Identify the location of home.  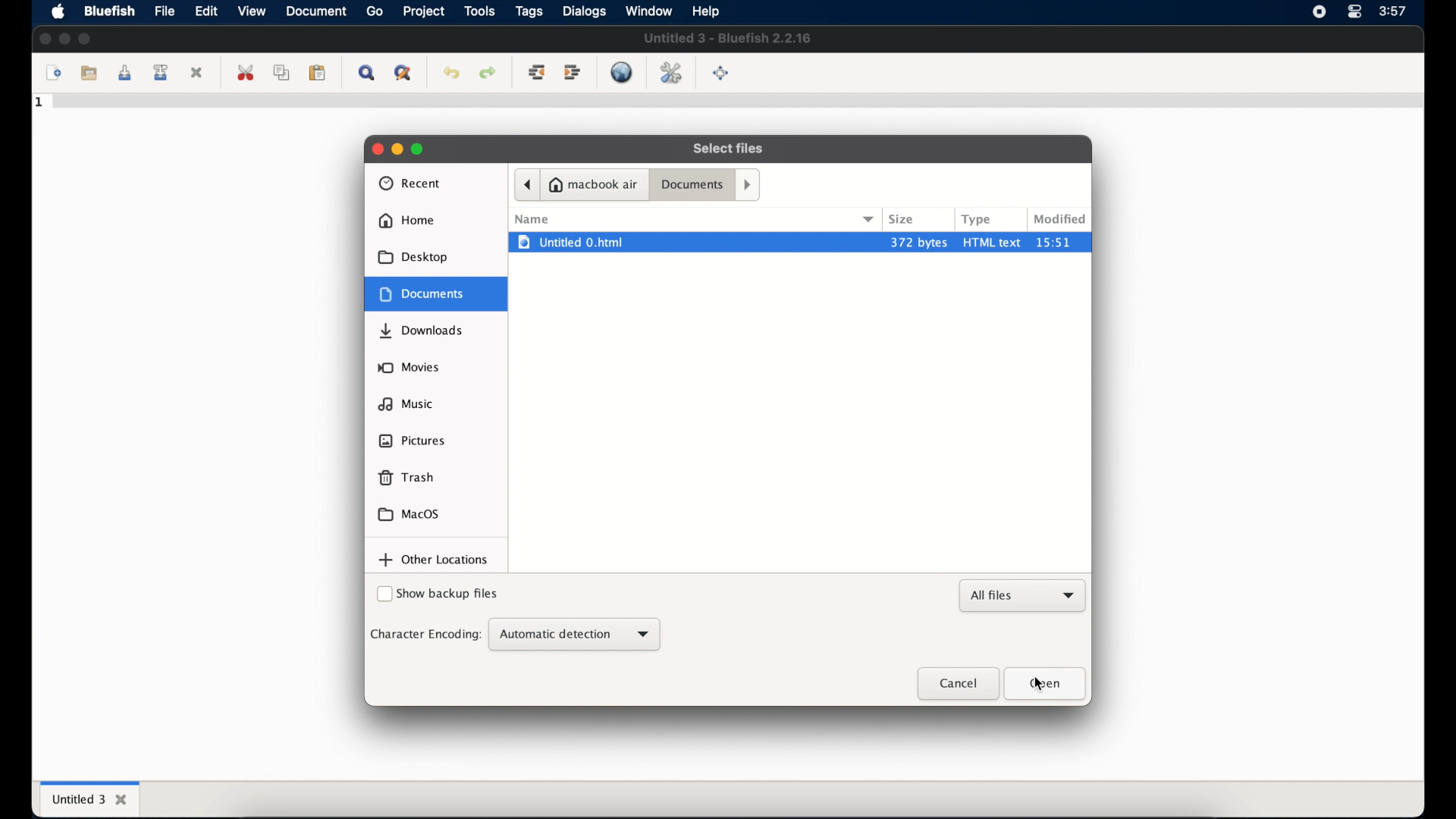
(406, 221).